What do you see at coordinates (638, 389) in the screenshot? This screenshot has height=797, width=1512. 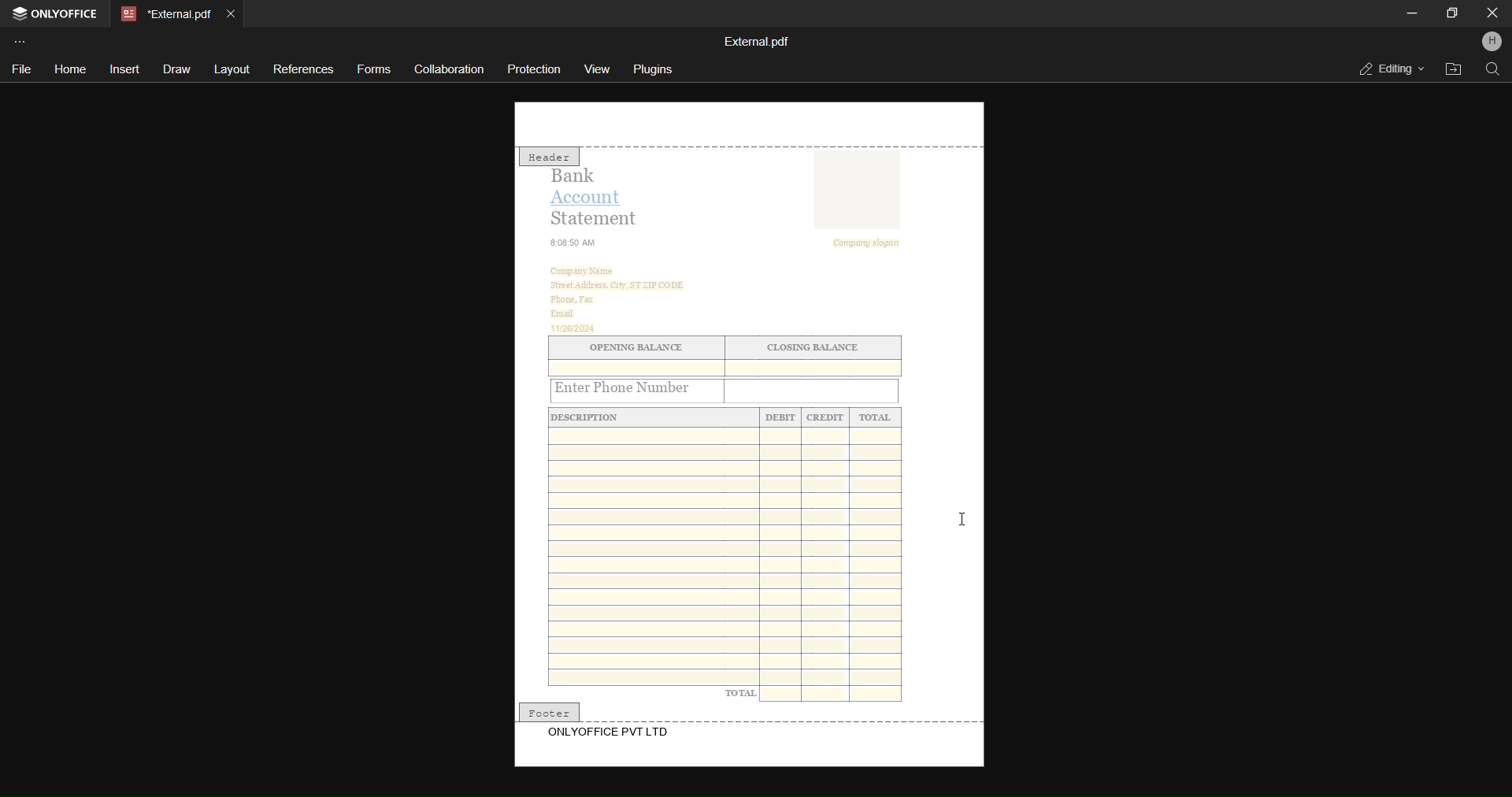 I see `Enter Phone Number` at bounding box center [638, 389].